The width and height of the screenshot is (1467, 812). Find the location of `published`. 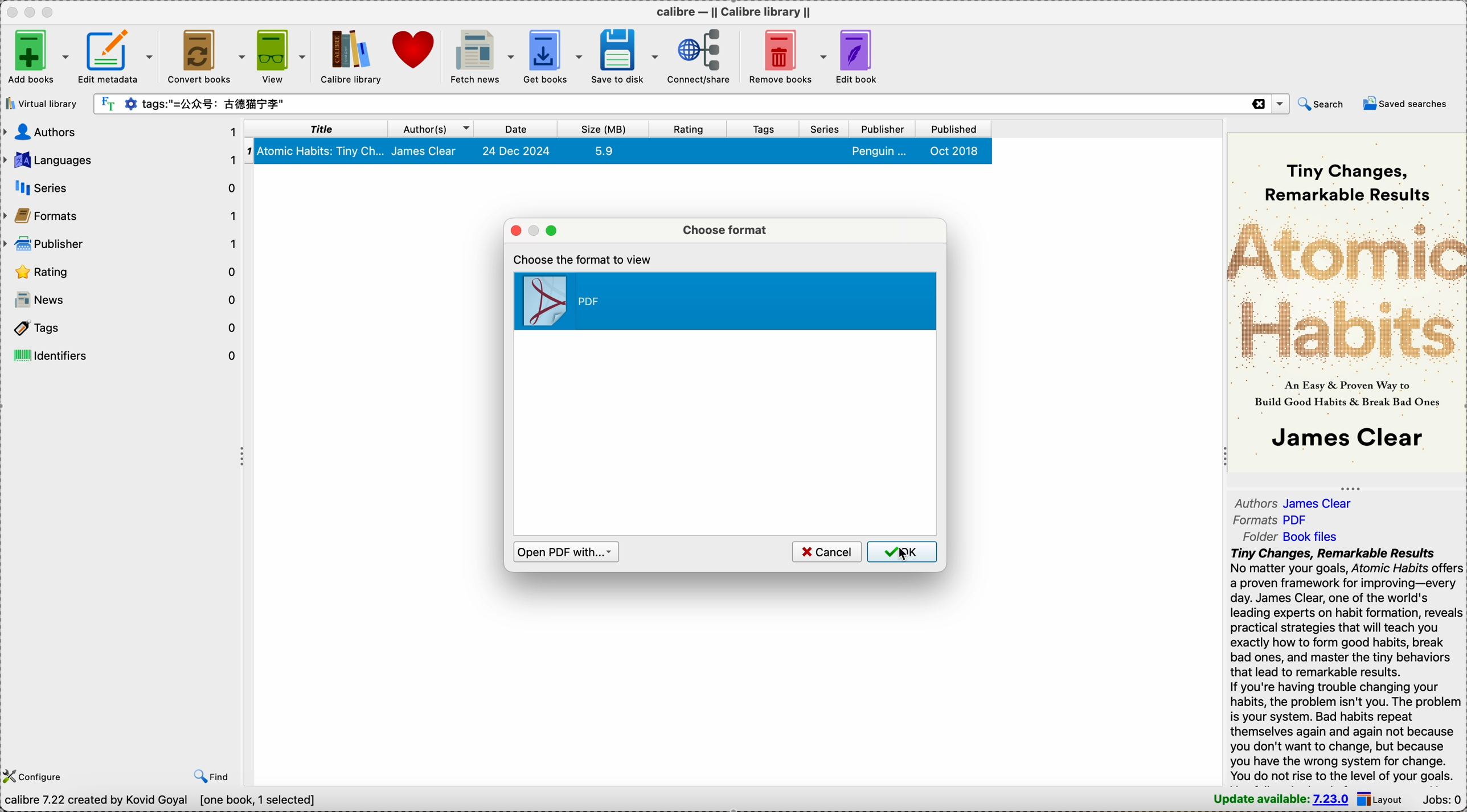

published is located at coordinates (956, 129).